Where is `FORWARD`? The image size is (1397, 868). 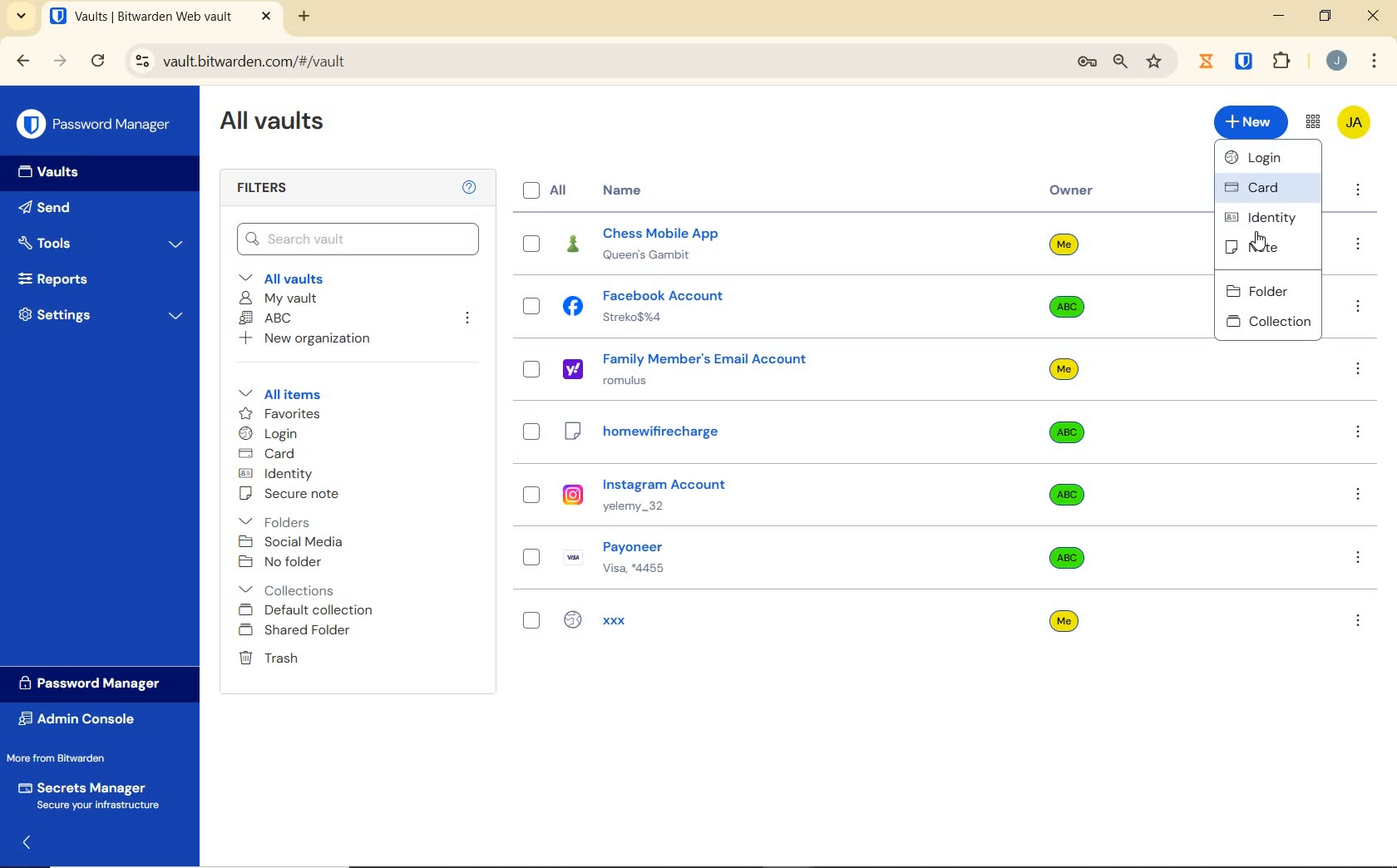 FORWARD is located at coordinates (61, 62).